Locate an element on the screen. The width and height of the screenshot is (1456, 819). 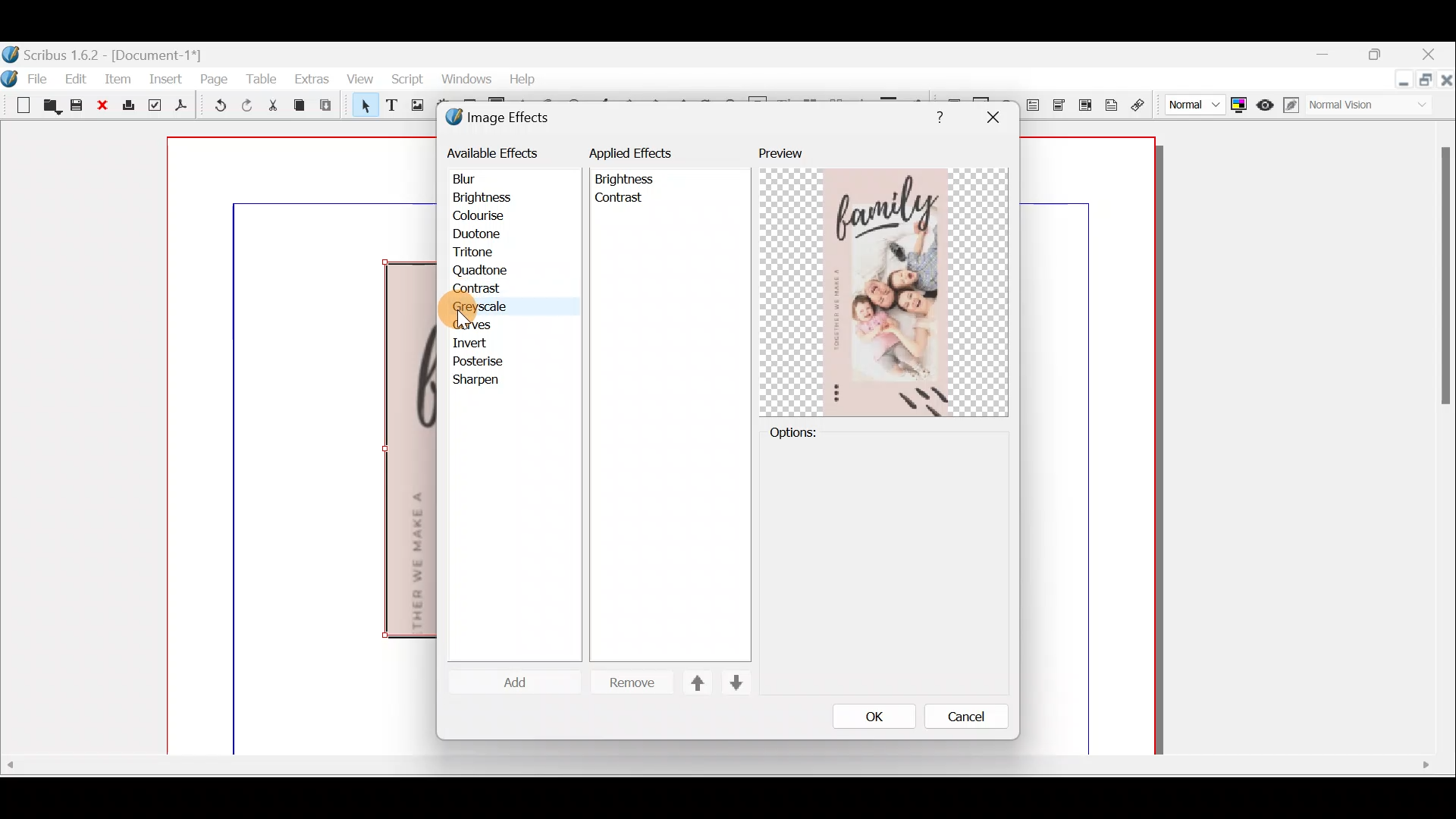
Page is located at coordinates (213, 81).